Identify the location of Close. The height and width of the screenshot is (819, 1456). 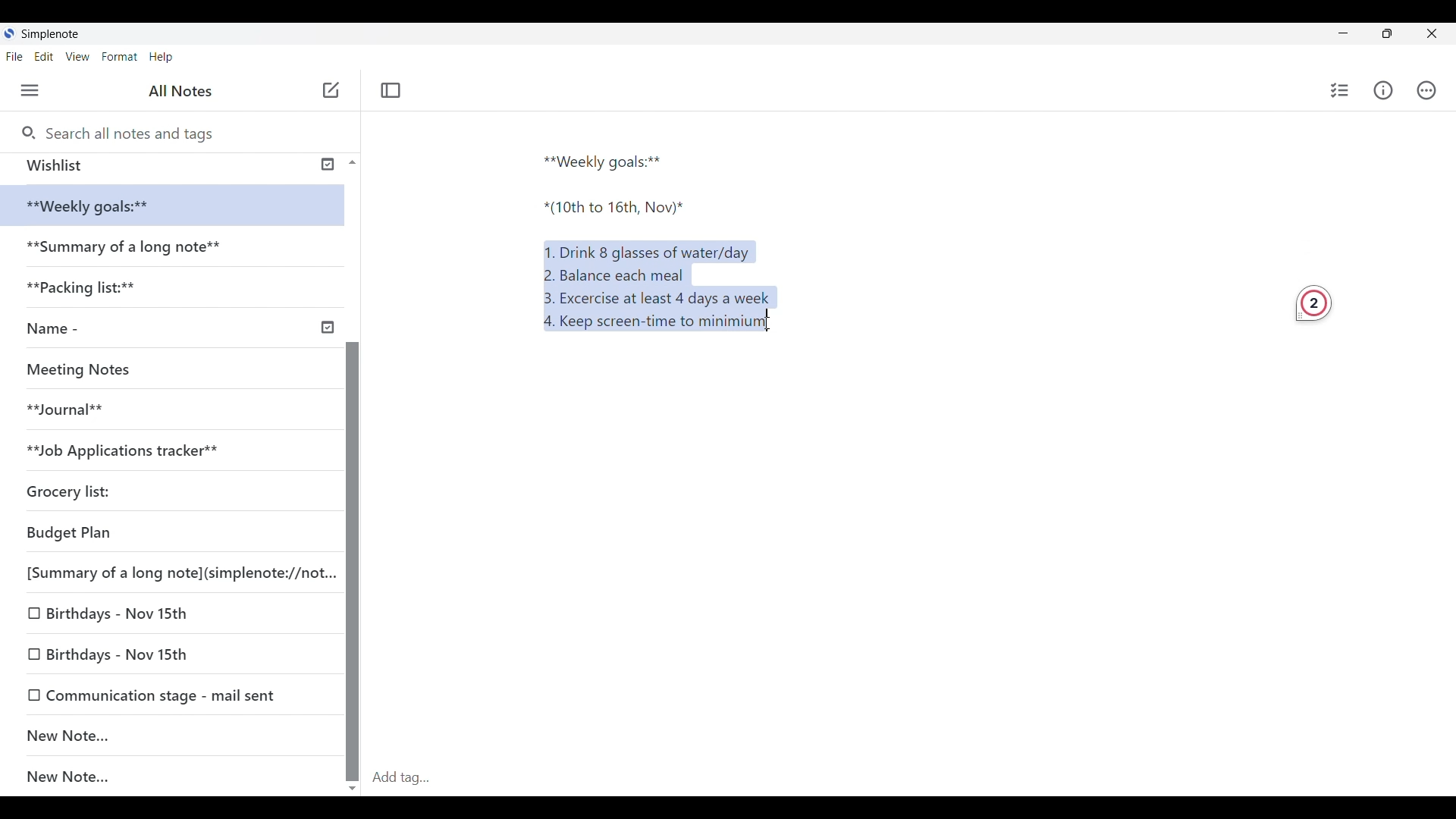
(1438, 33).